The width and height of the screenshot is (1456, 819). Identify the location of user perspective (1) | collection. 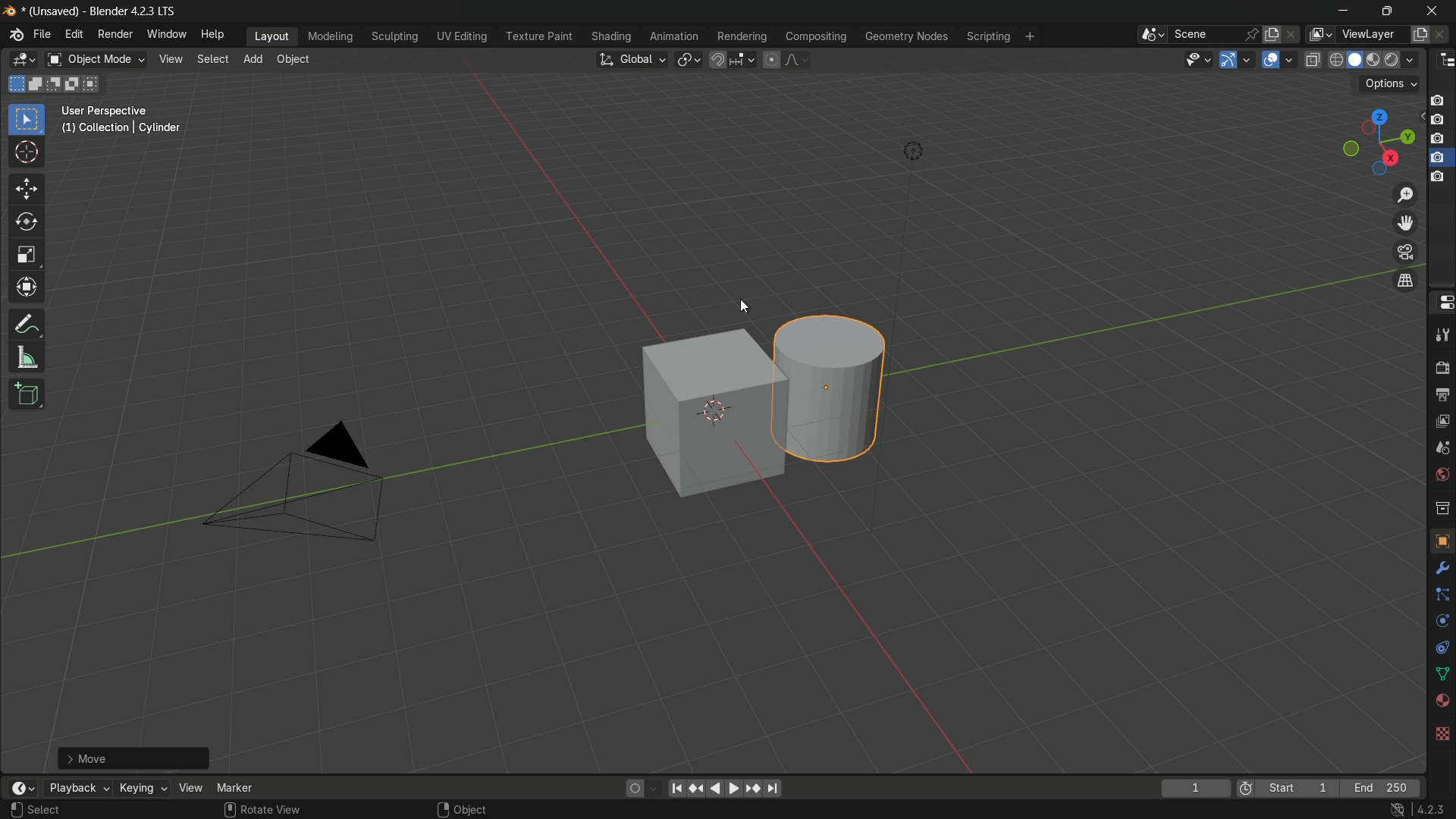
(121, 124).